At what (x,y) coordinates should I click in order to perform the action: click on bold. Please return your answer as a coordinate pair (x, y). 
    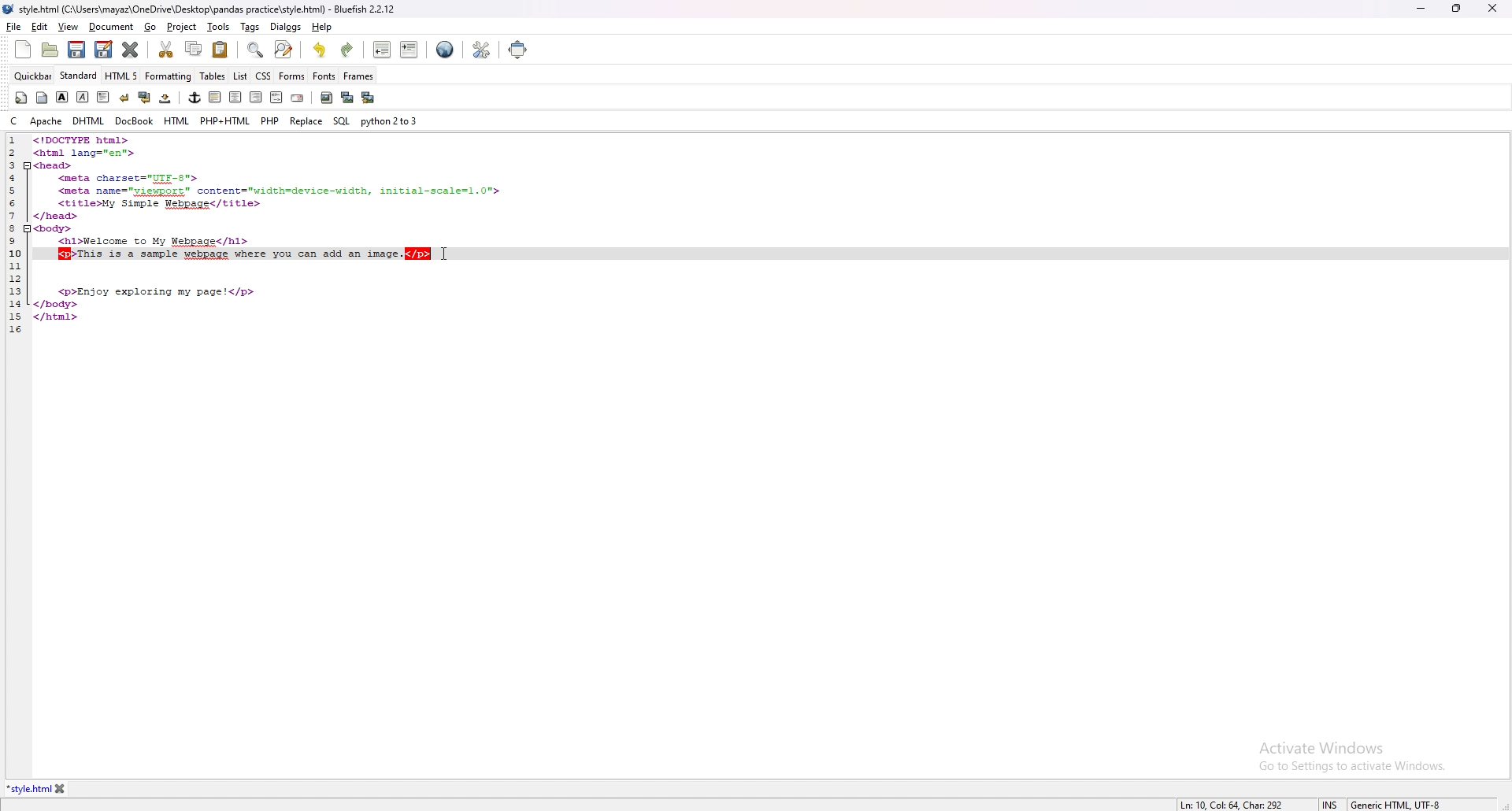
    Looking at the image, I should click on (63, 97).